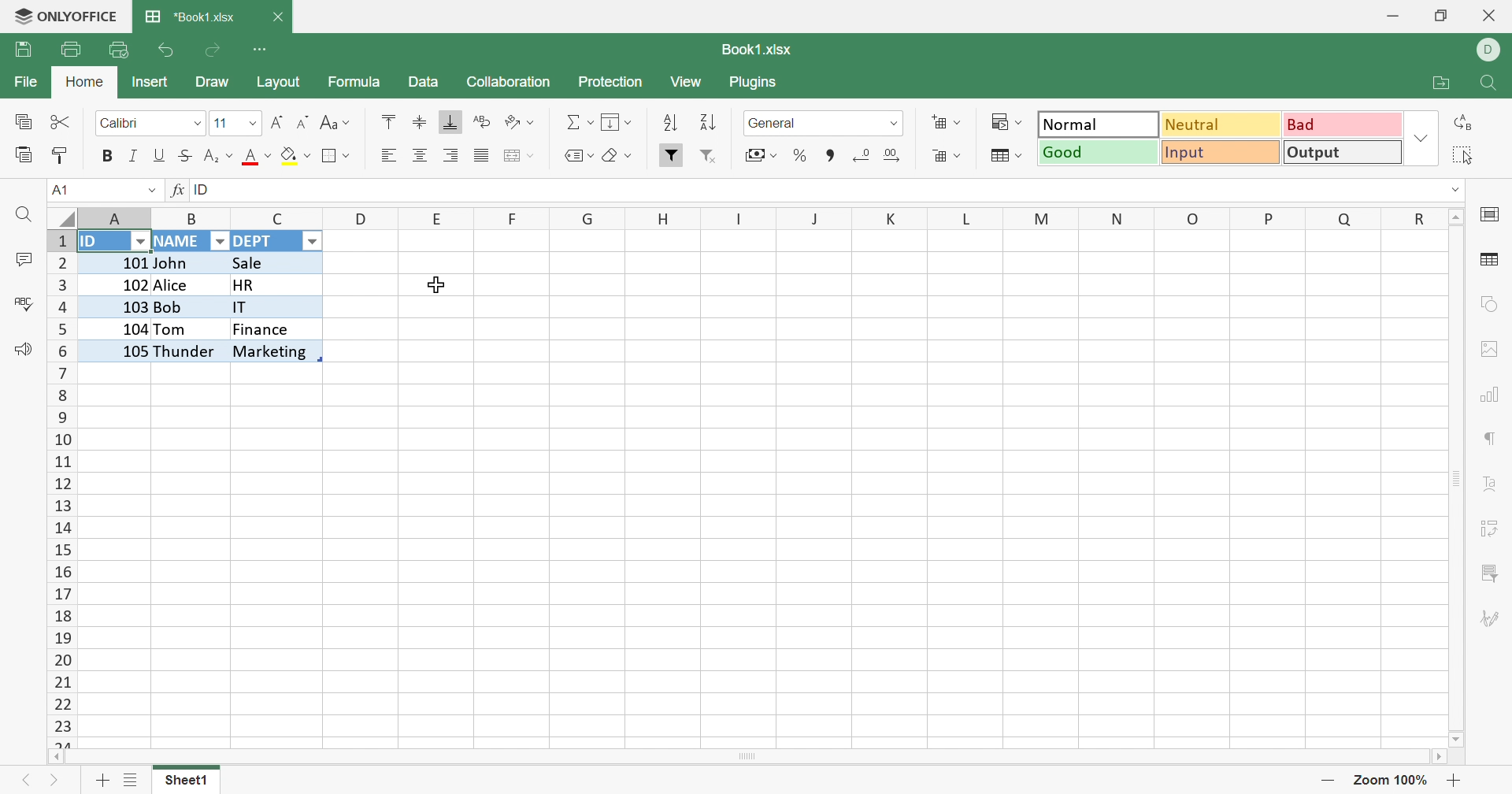  Describe the element at coordinates (1418, 139) in the screenshot. I see `Drop Down` at that location.